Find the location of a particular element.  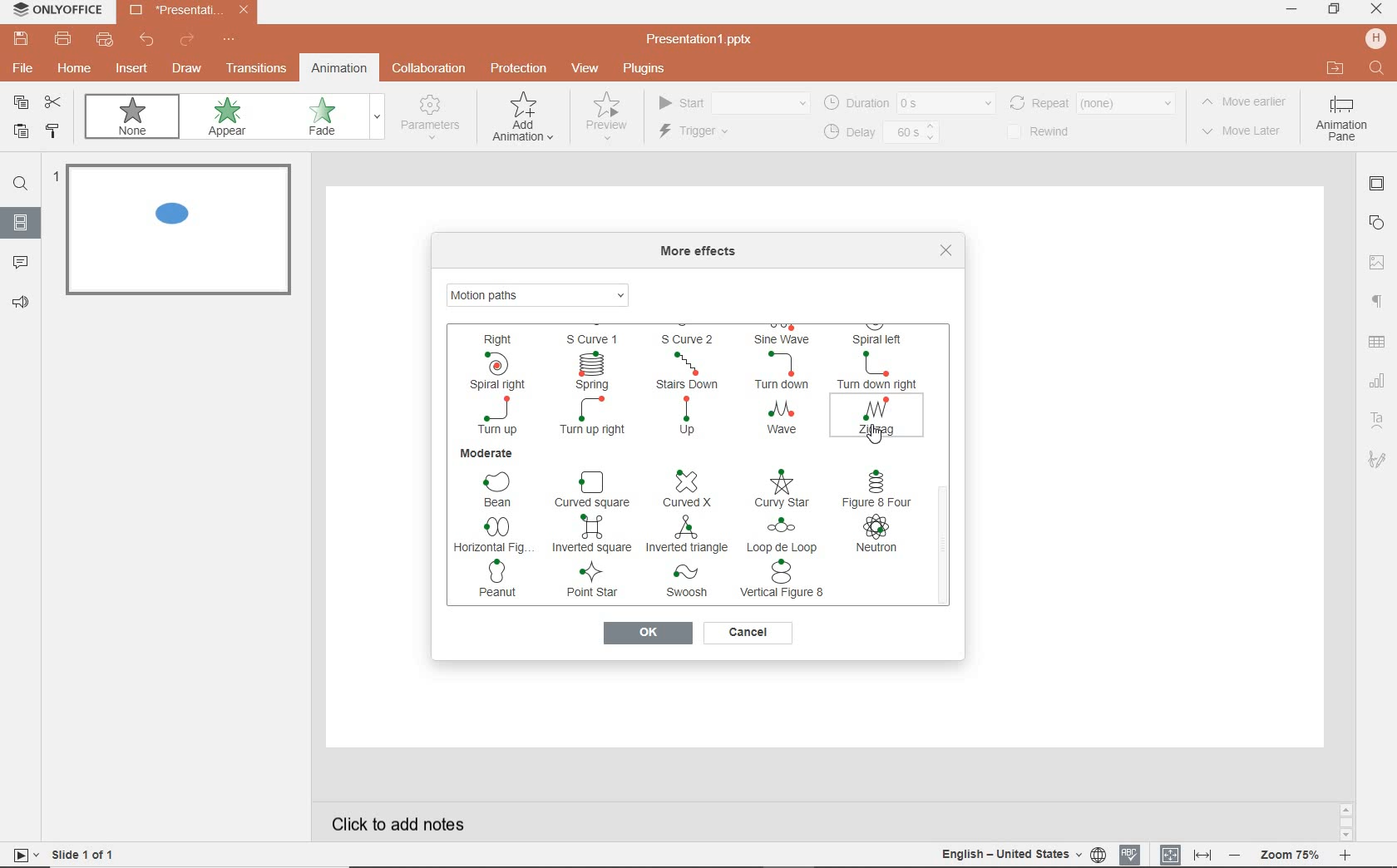

ANIMATION is located at coordinates (523, 121).